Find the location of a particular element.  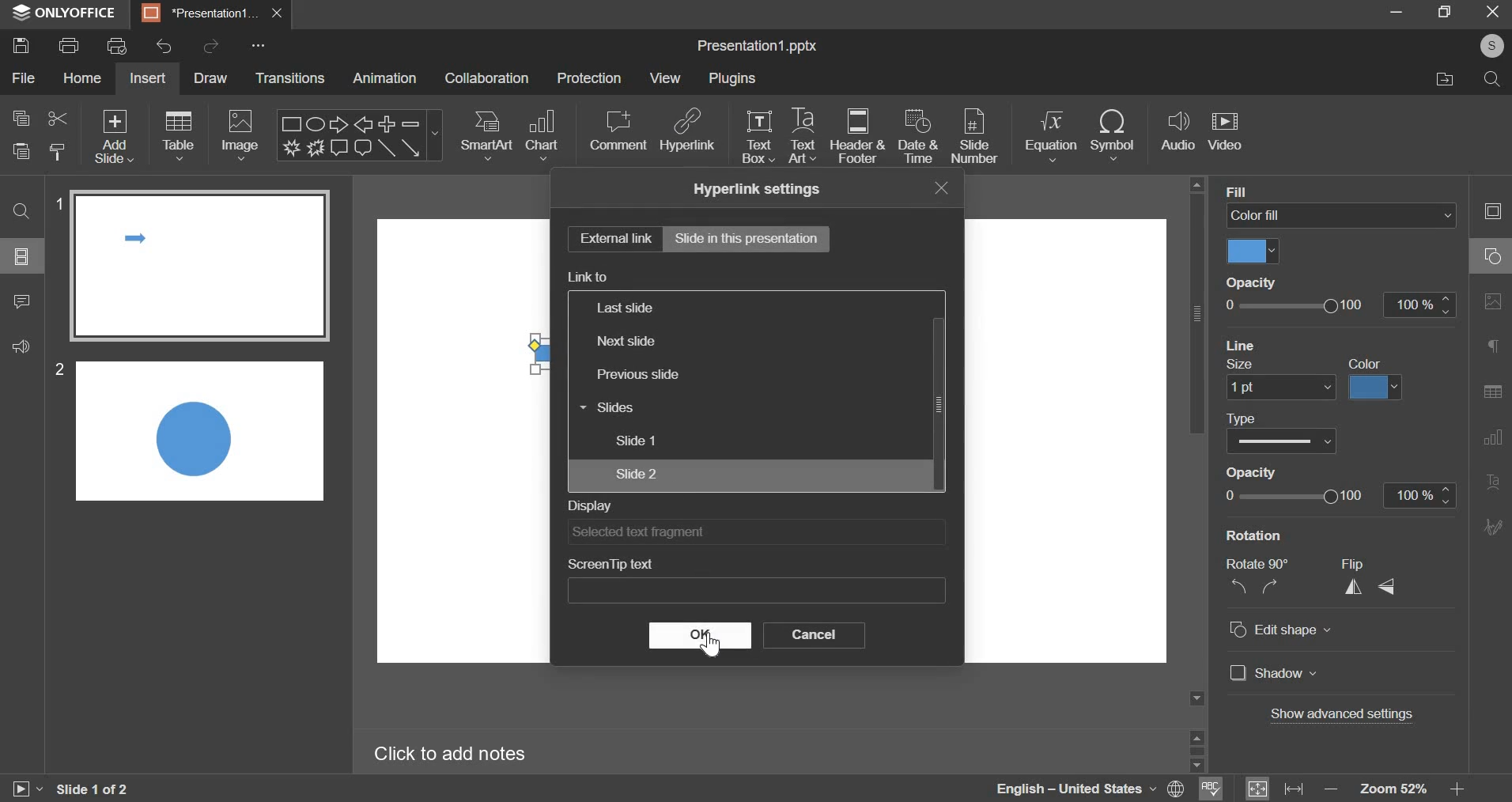

selected text fragment is located at coordinates (695, 532).